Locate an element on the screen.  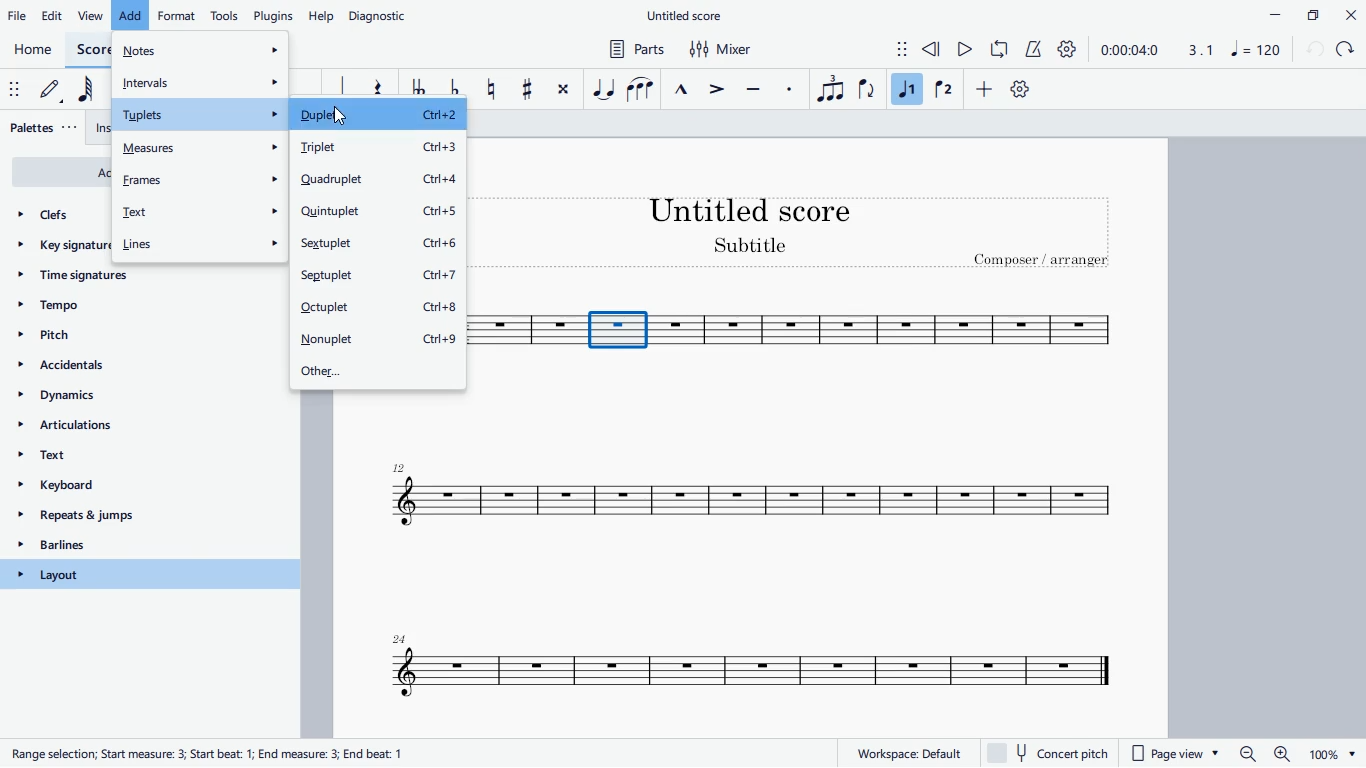
tools is located at coordinates (226, 14).